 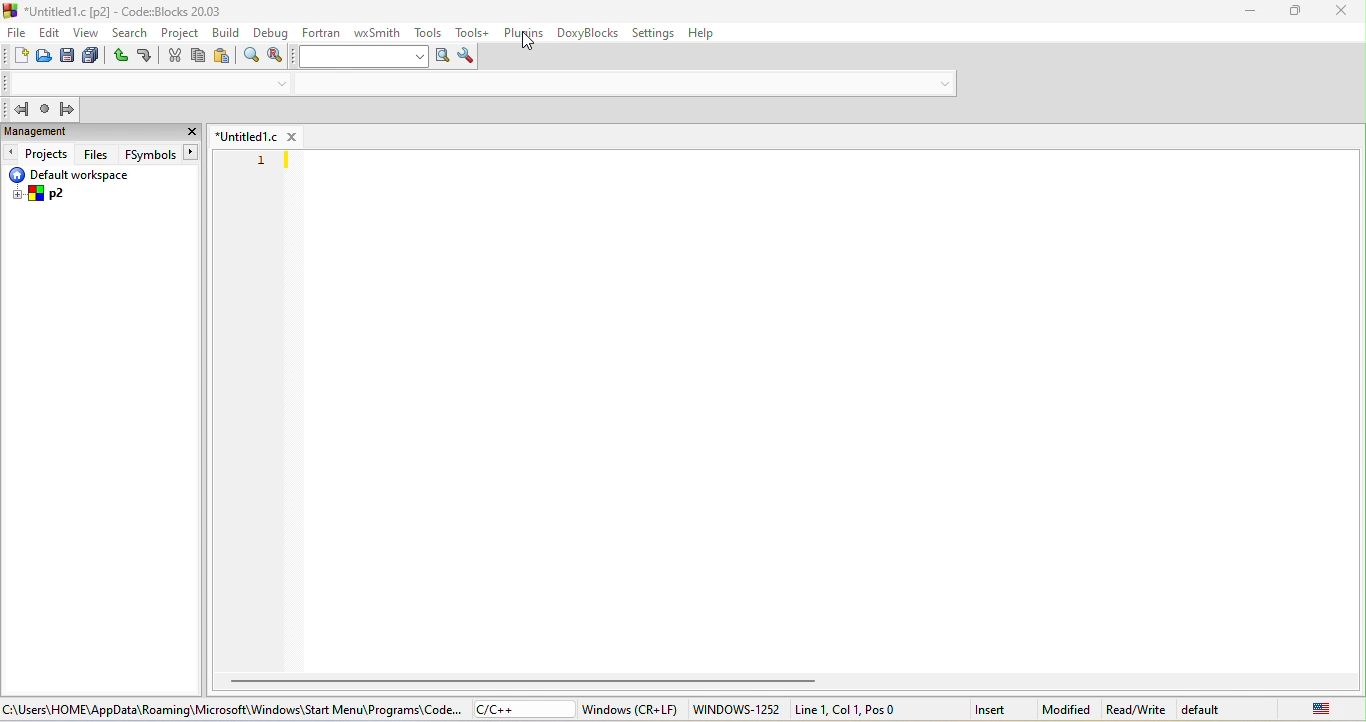 I want to click on jump forward, so click(x=67, y=109).